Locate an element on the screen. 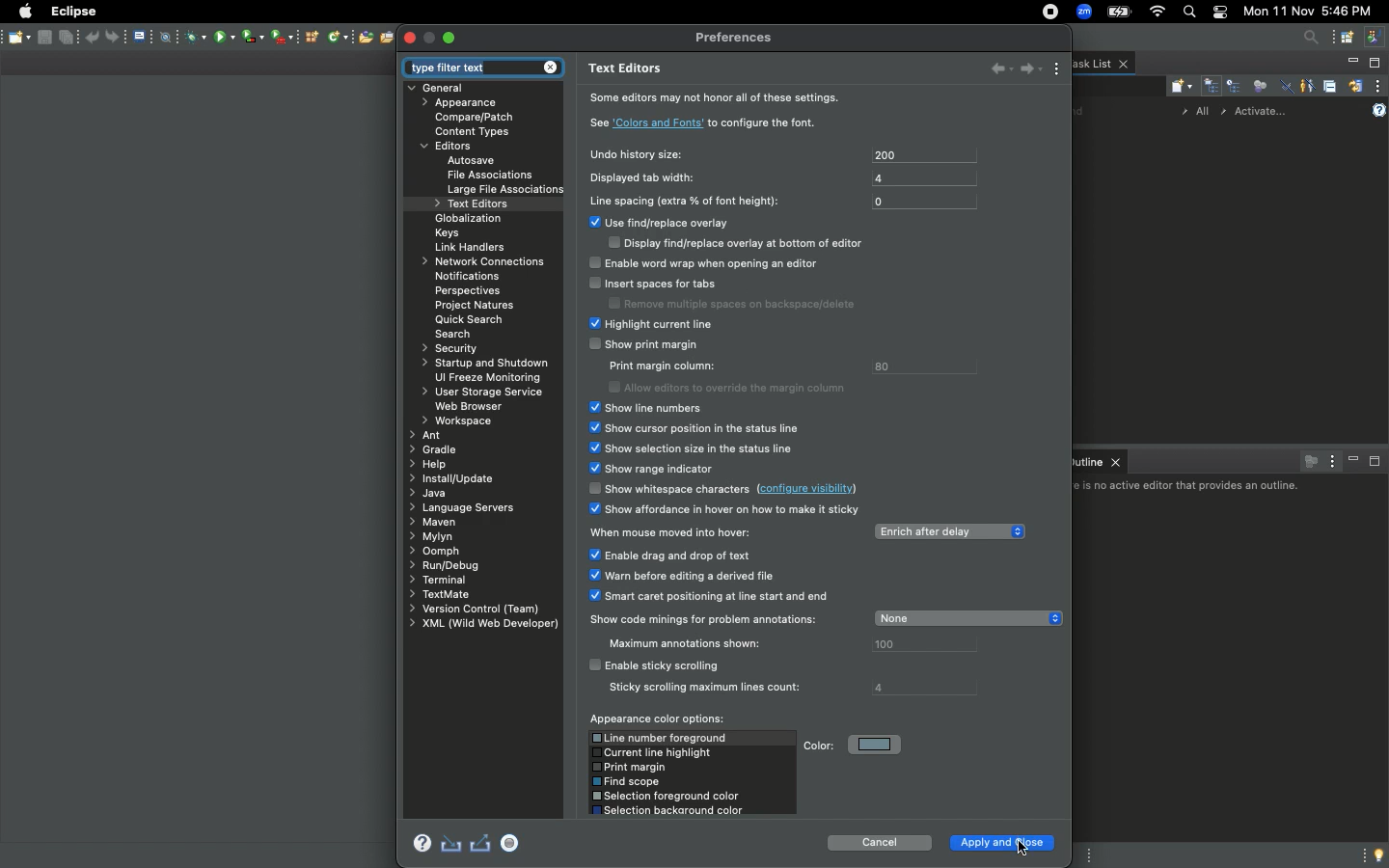 Image resolution: width=1389 pixels, height=868 pixels. File is located at coordinates (145, 37).